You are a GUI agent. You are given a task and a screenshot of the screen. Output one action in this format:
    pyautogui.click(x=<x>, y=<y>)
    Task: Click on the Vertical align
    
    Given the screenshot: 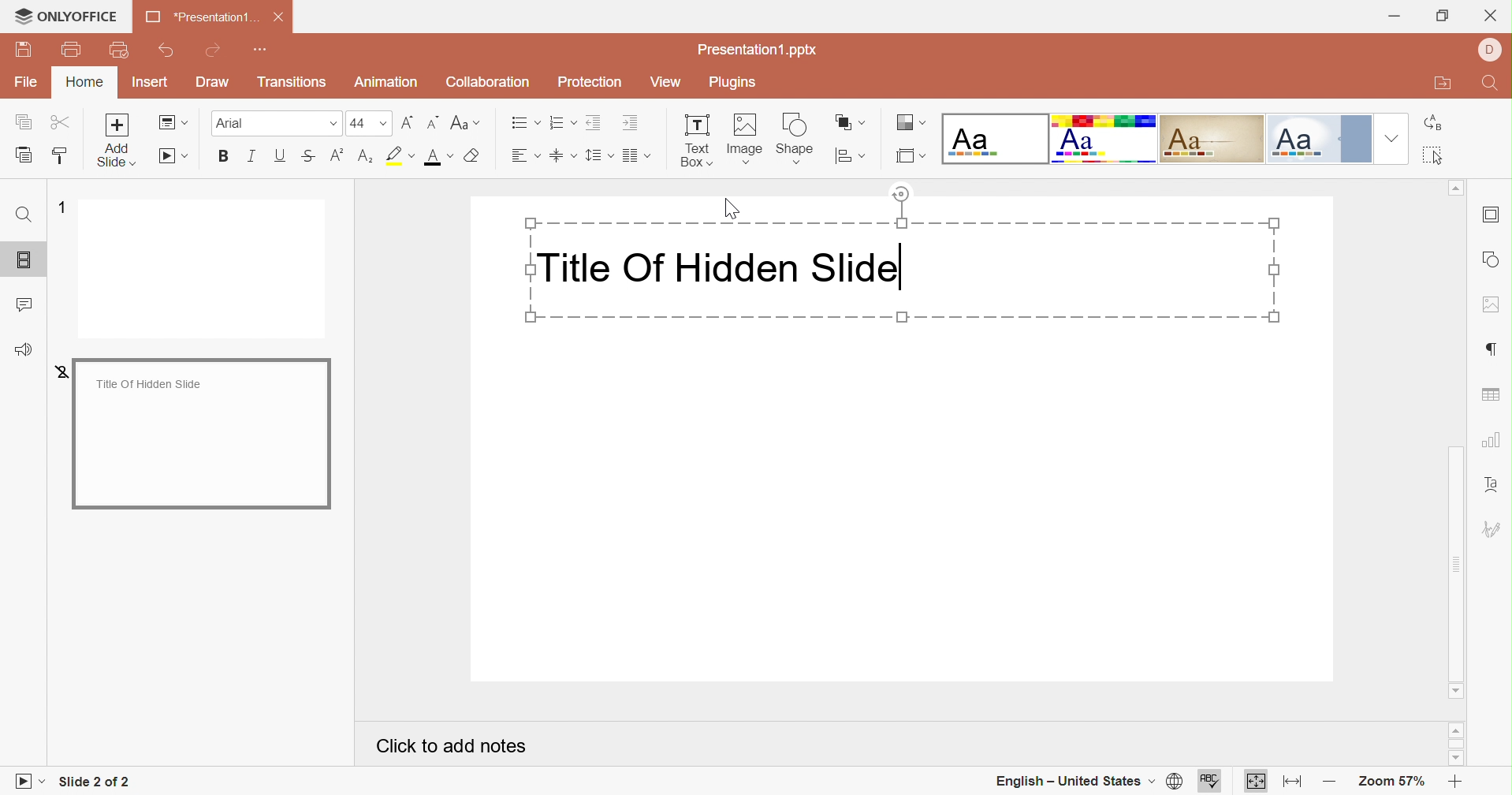 What is the action you would take?
    pyautogui.click(x=564, y=155)
    